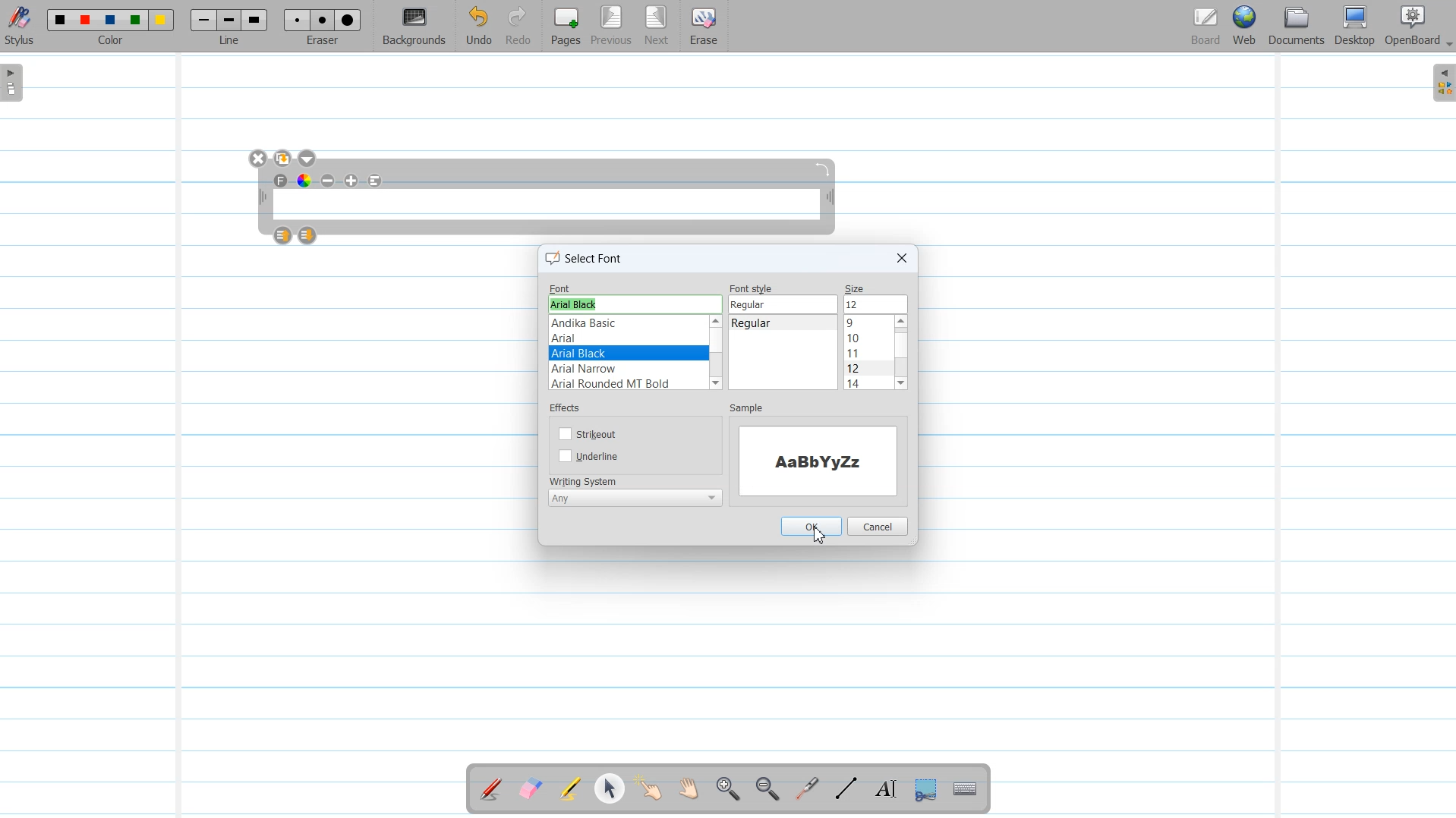 The image size is (1456, 818). I want to click on Text Color, so click(304, 180).